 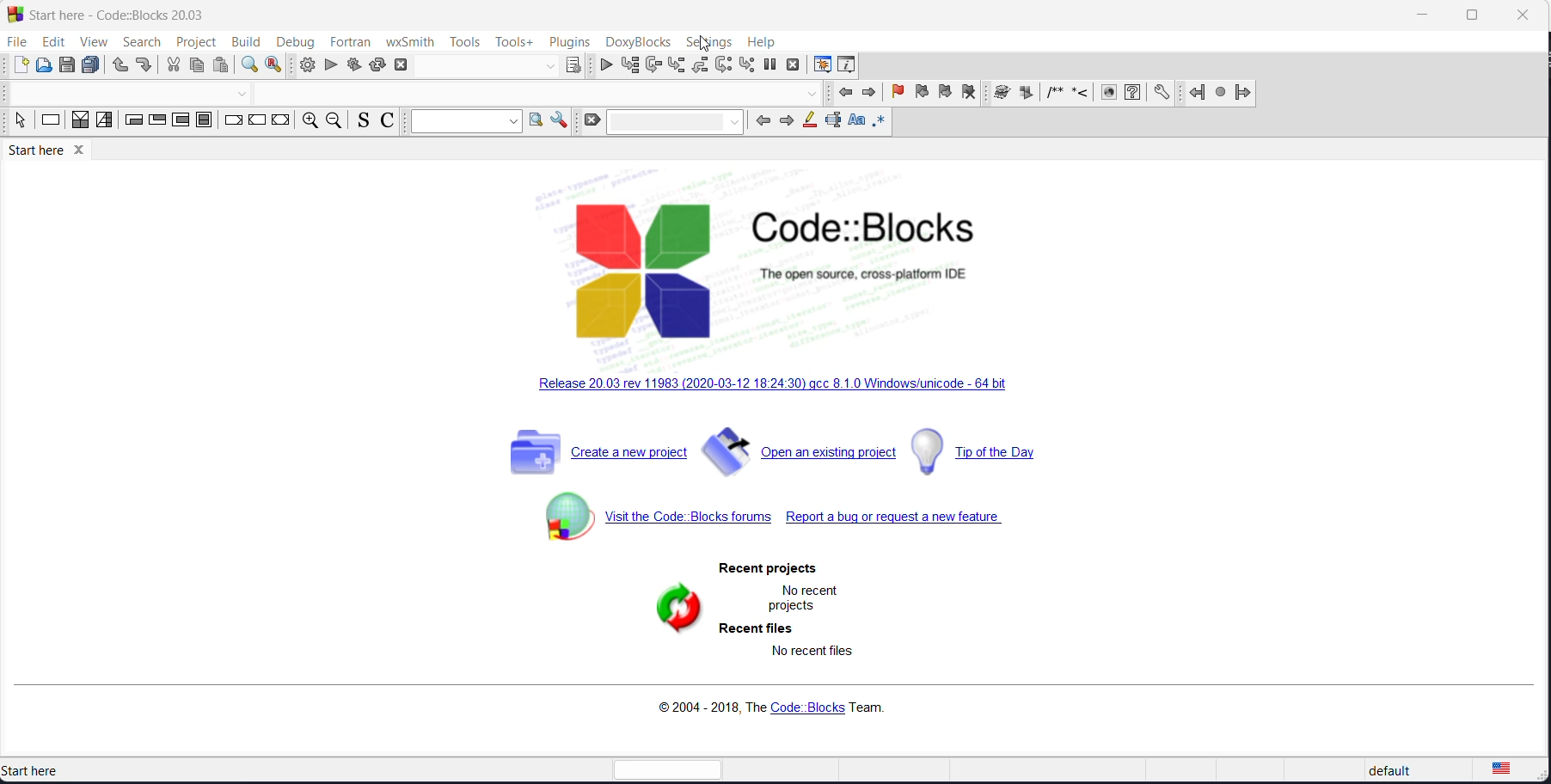 I want to click on cursor, so click(x=703, y=44).